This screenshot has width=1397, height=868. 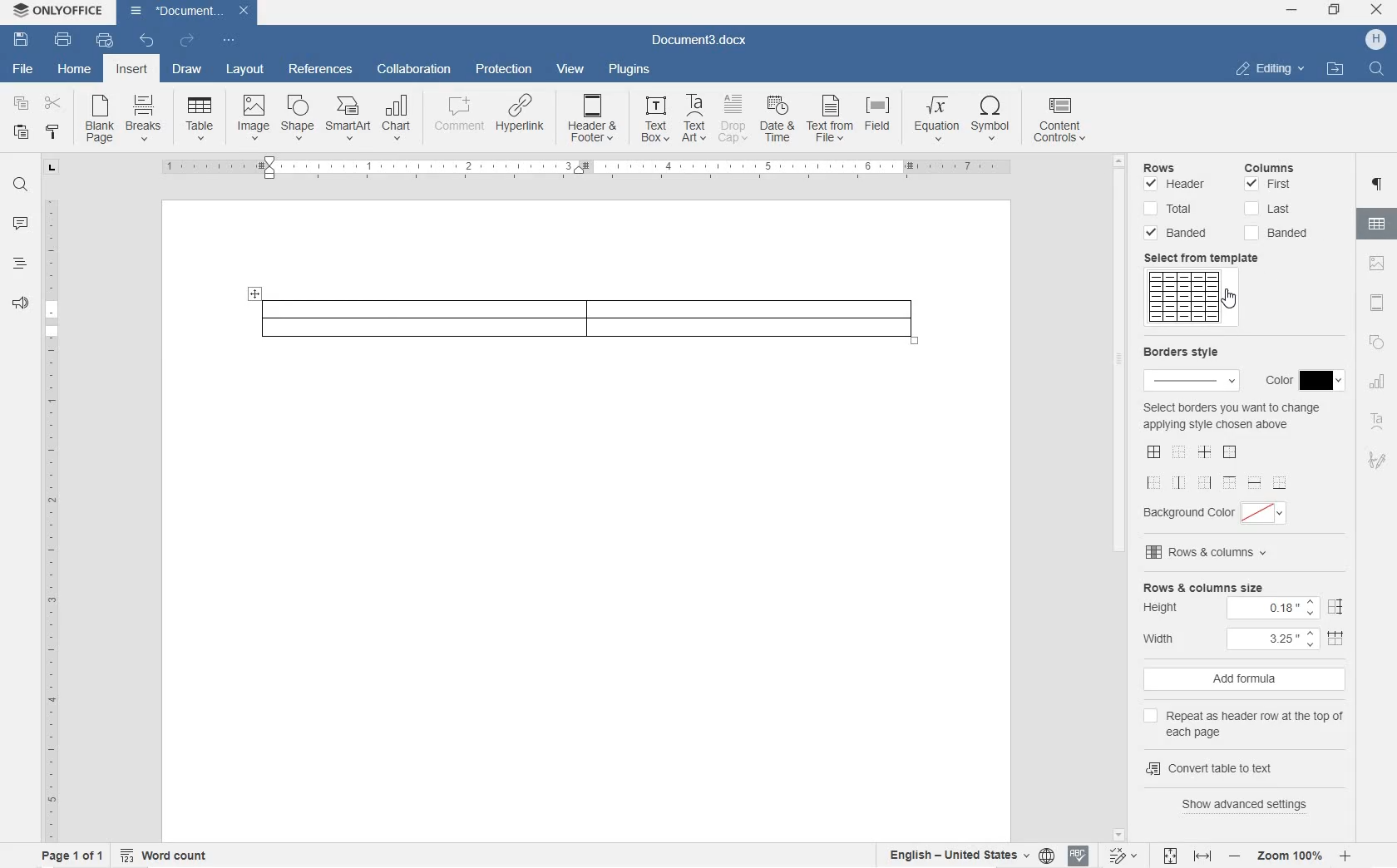 I want to click on SPELL CHECKING, so click(x=1077, y=856).